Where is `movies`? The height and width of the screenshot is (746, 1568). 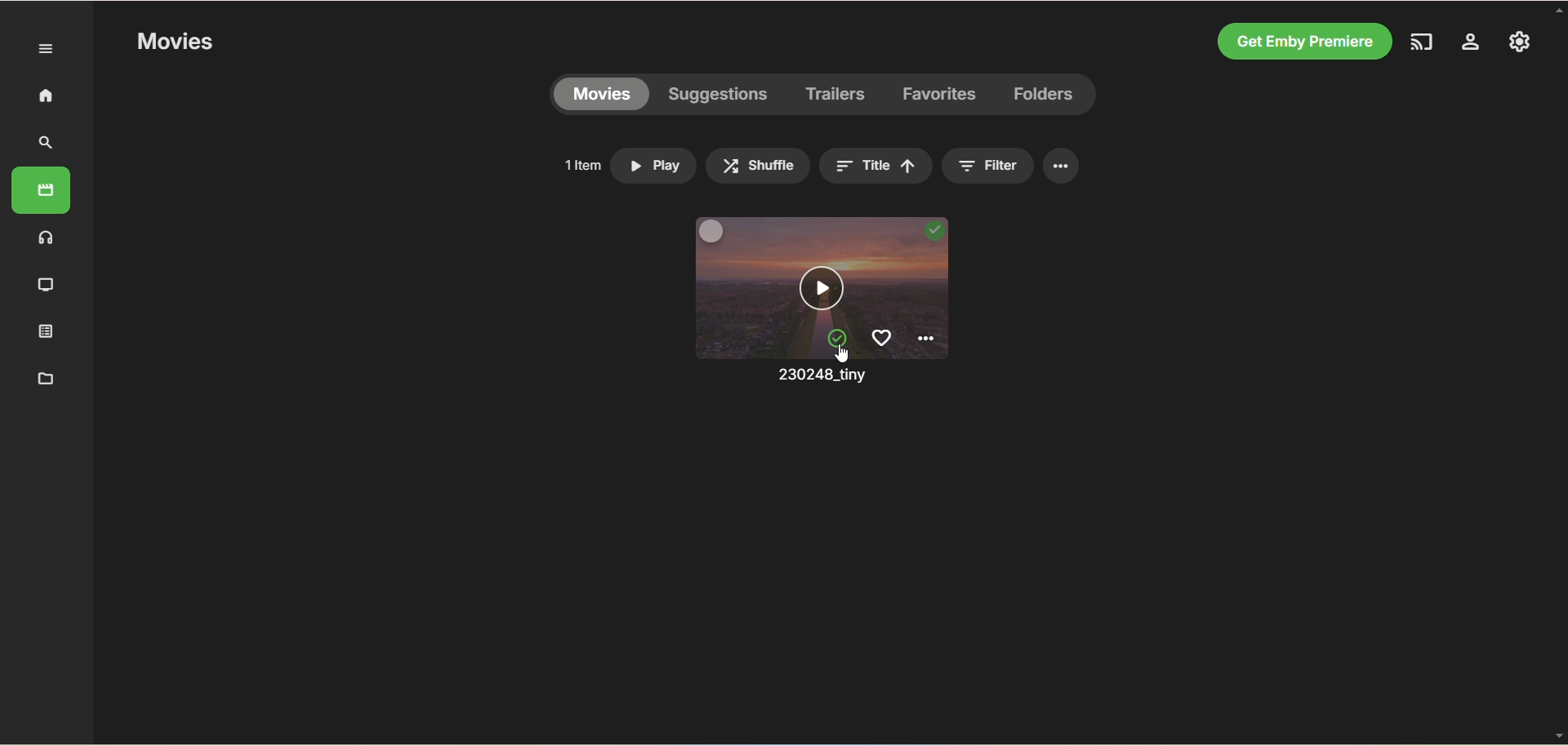 movies is located at coordinates (599, 95).